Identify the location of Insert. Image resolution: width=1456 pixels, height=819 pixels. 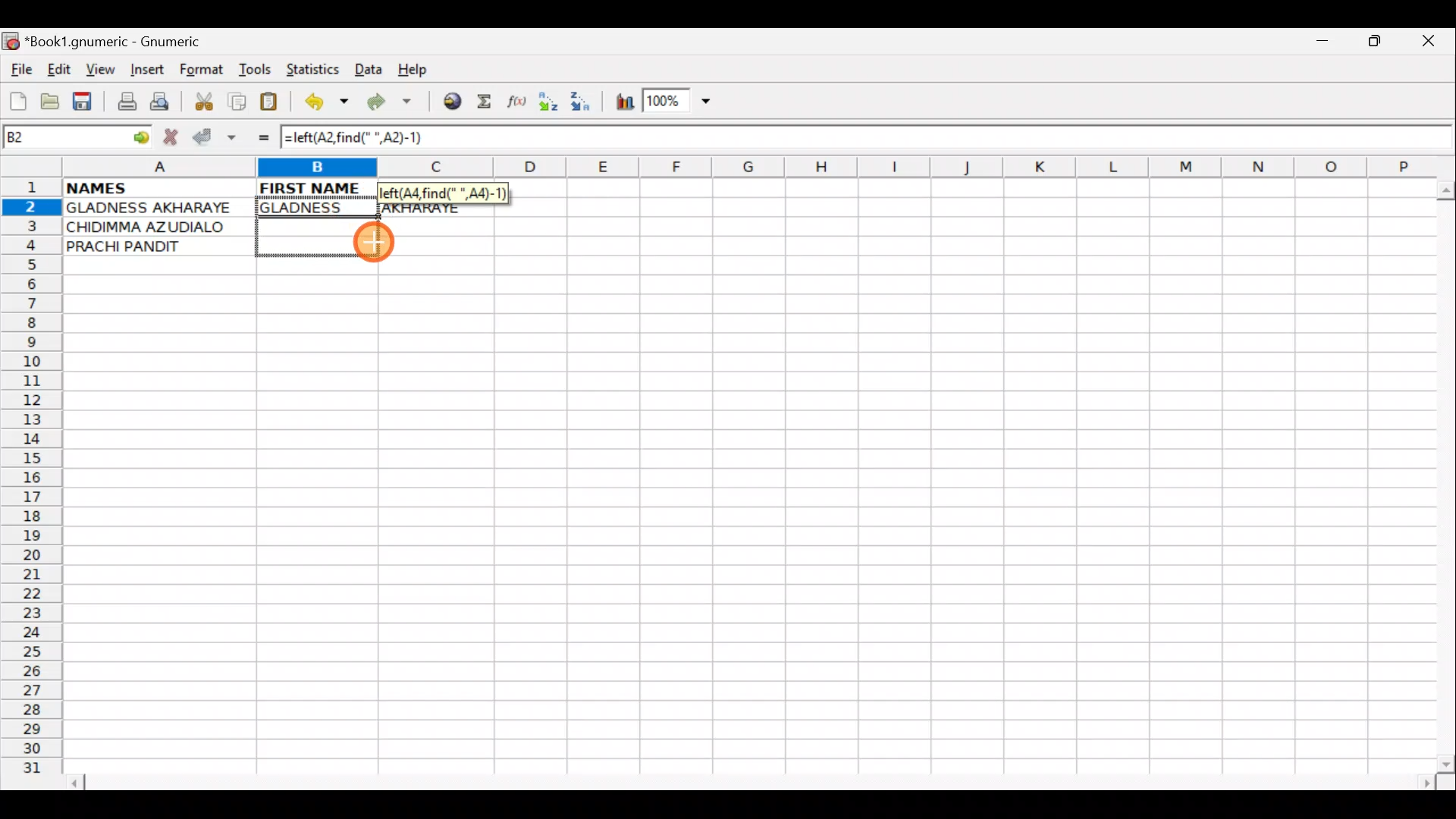
(146, 70).